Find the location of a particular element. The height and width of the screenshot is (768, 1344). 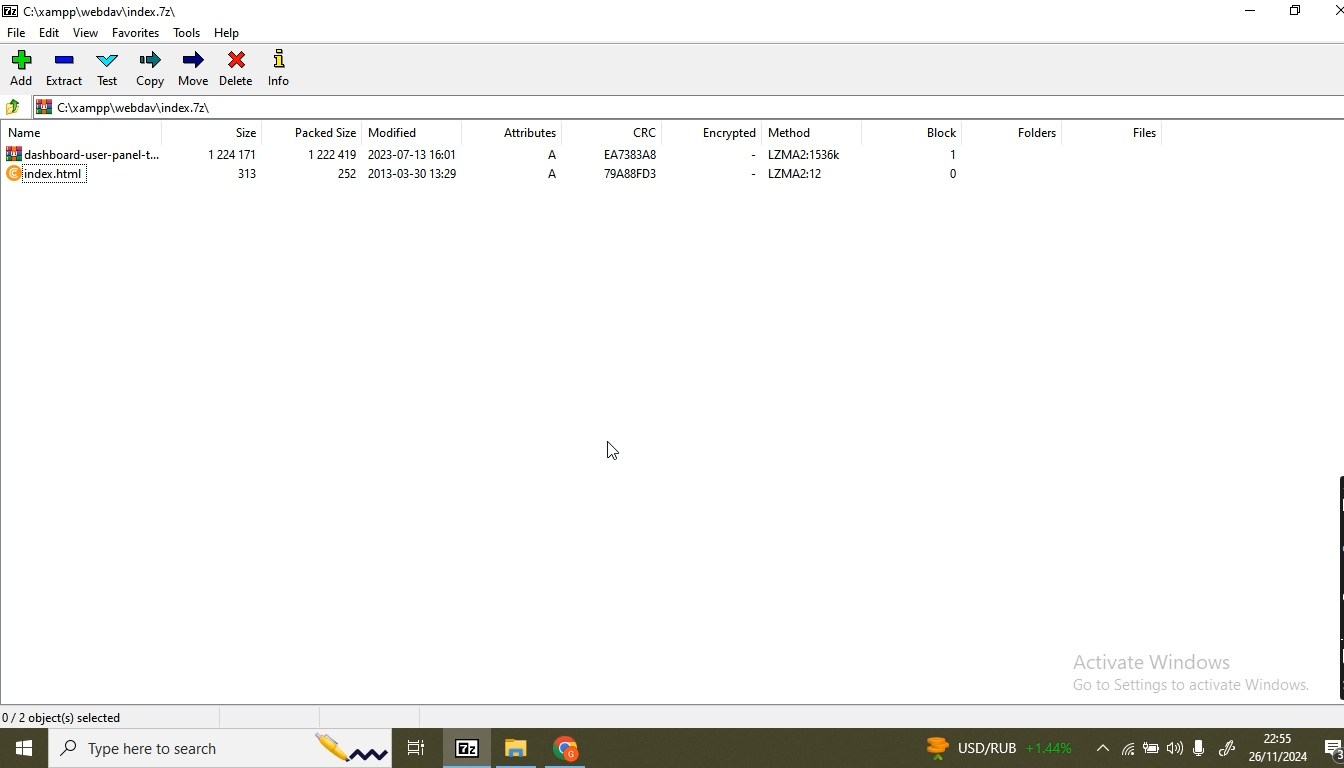

task view is located at coordinates (421, 745).